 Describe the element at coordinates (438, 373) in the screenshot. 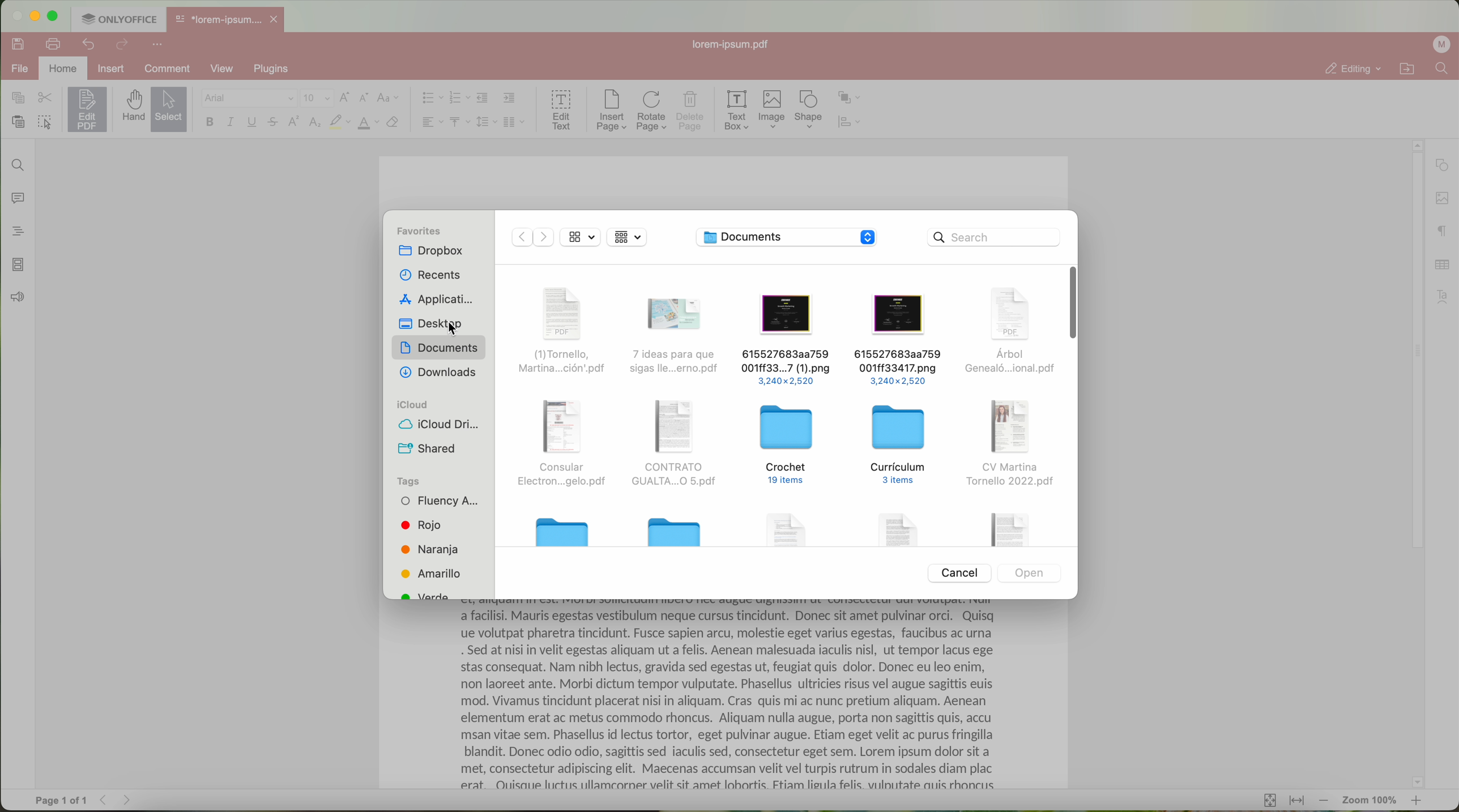

I see `downloads` at that location.